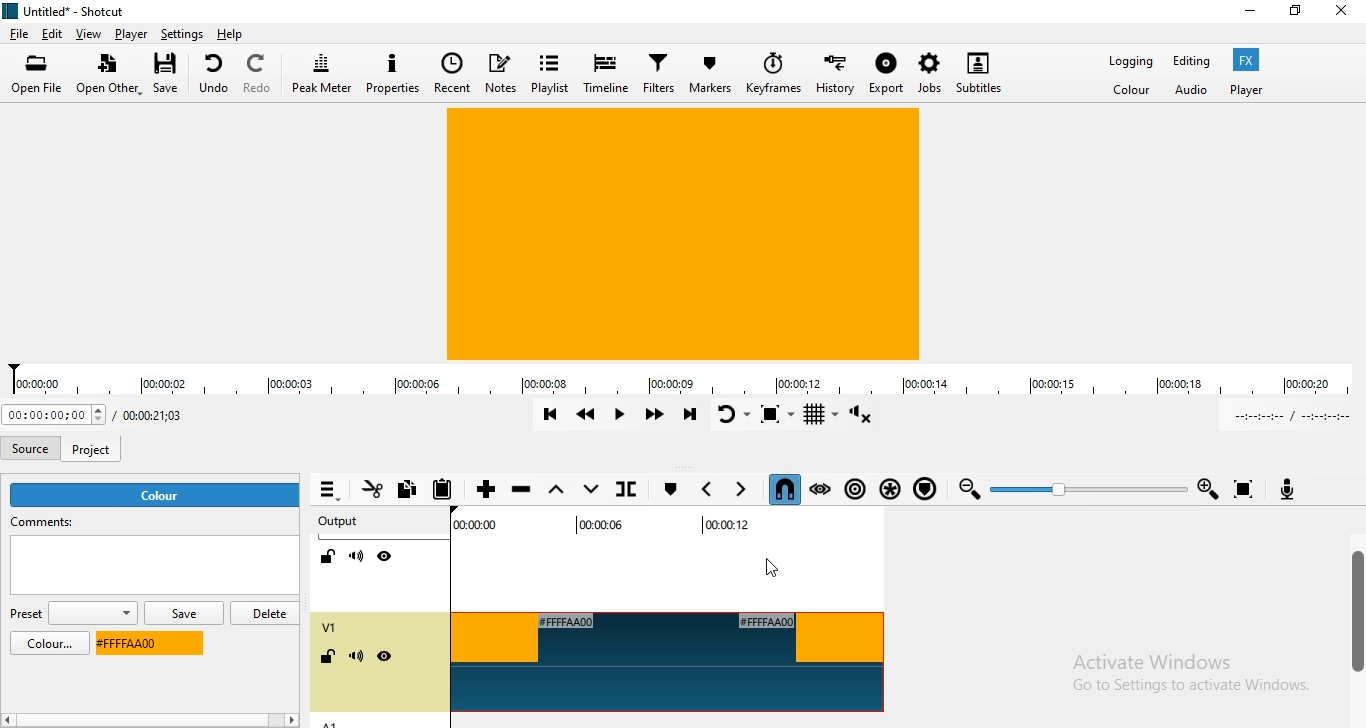  I want to click on Player, so click(133, 37).